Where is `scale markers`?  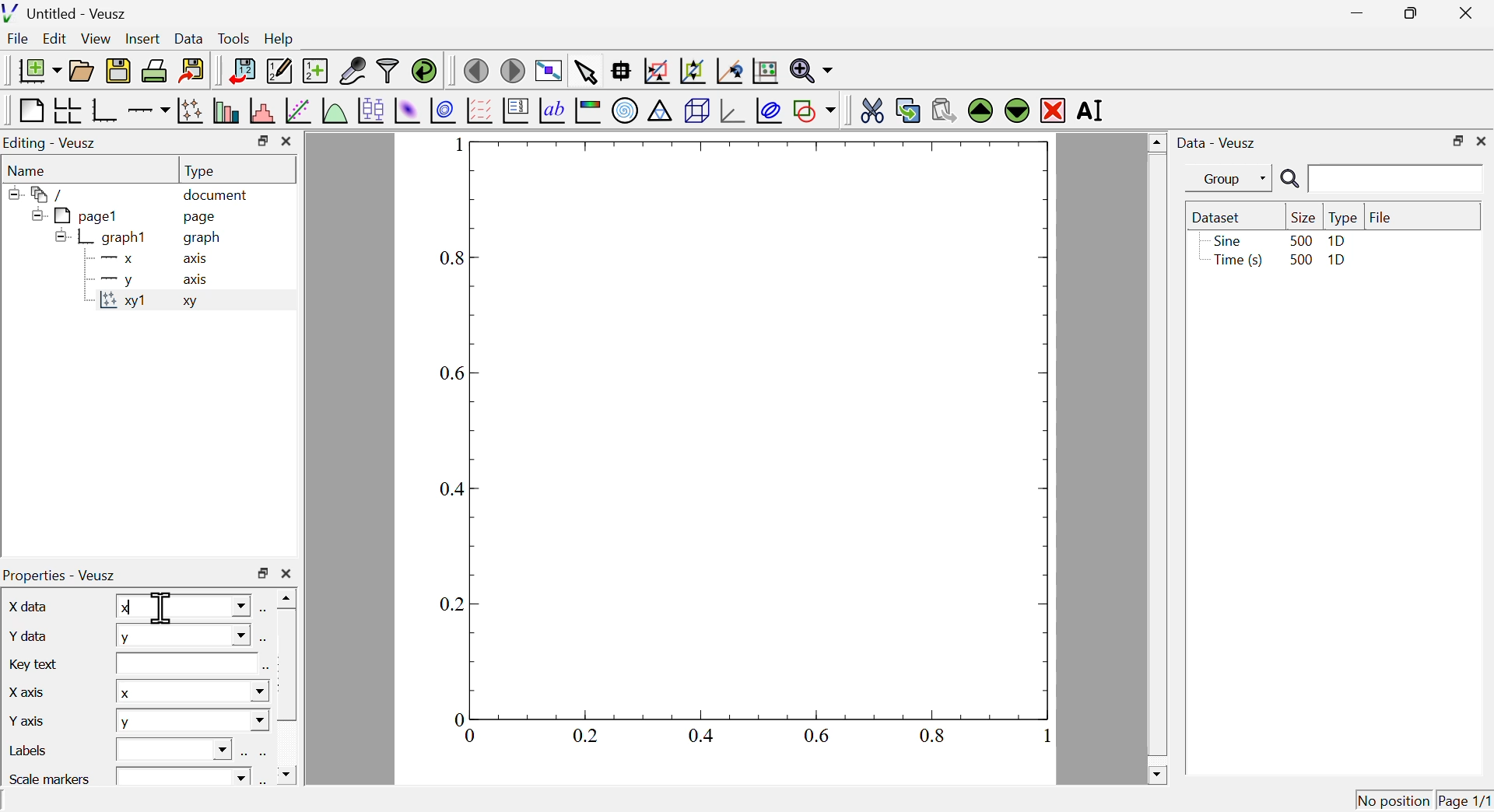
scale markers is located at coordinates (53, 777).